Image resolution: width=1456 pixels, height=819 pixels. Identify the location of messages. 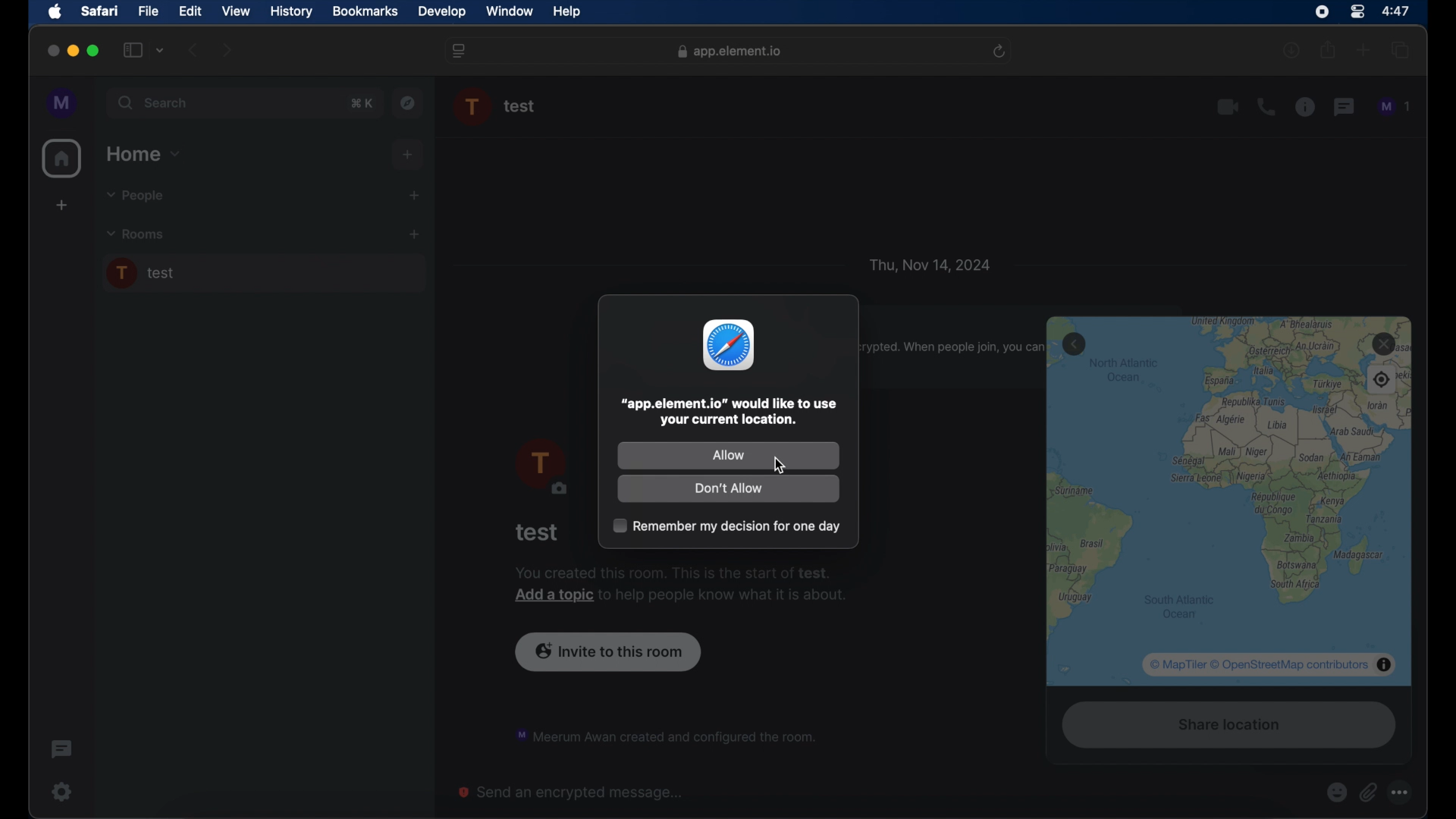
(1395, 107).